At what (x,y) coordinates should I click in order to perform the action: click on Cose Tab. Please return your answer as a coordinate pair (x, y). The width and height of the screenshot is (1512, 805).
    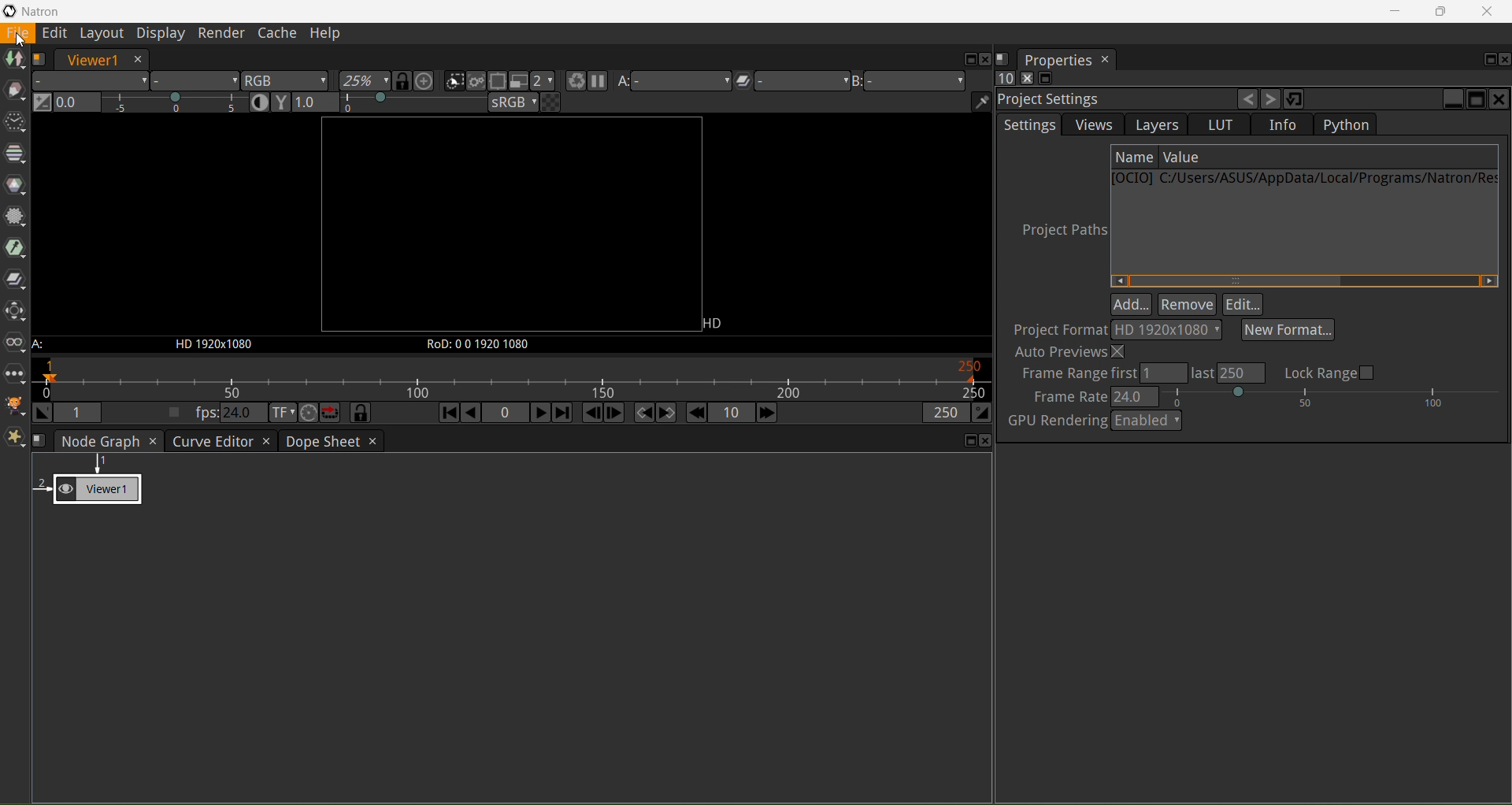
    Looking at the image, I should click on (137, 59).